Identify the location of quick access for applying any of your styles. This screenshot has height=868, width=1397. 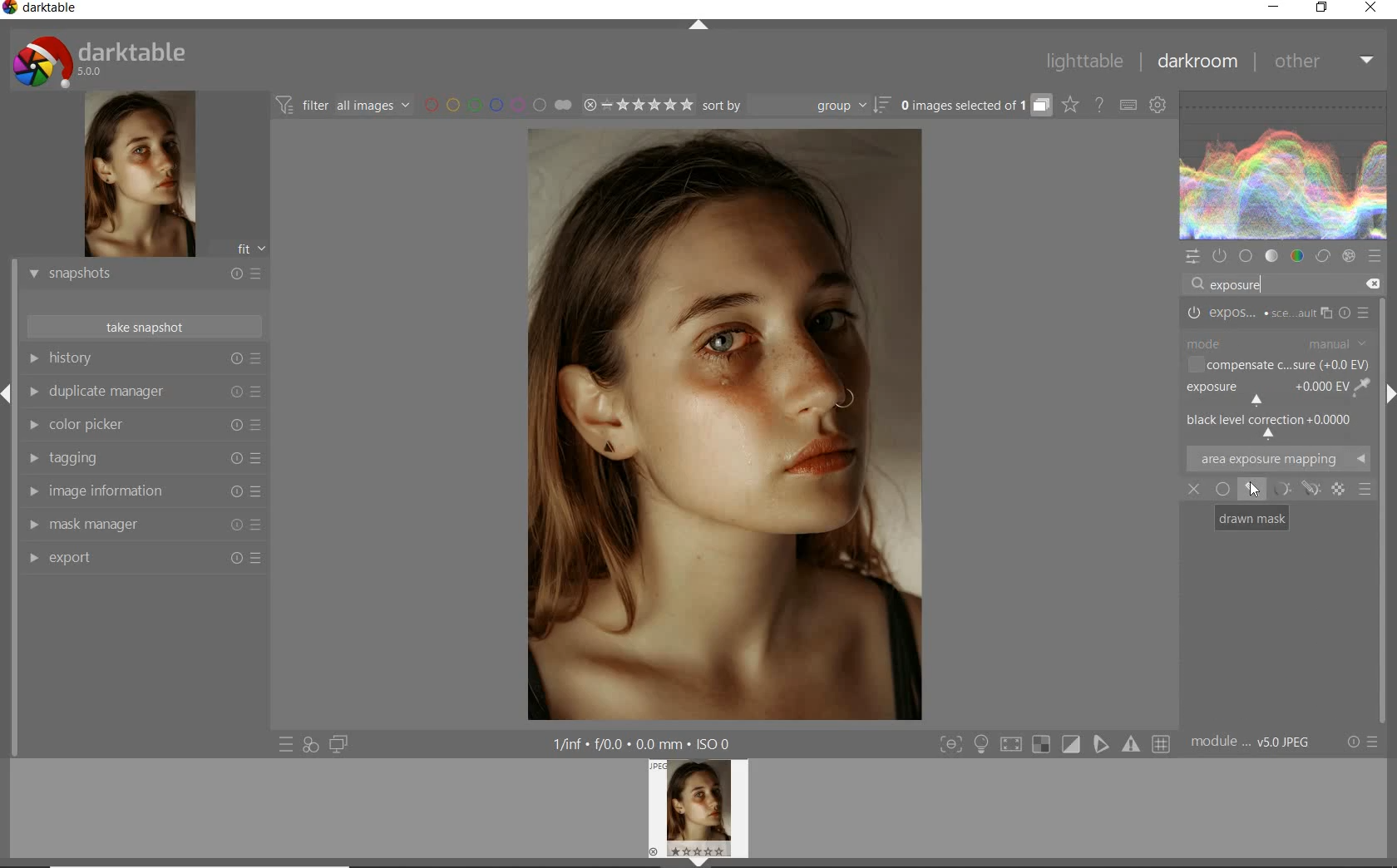
(309, 745).